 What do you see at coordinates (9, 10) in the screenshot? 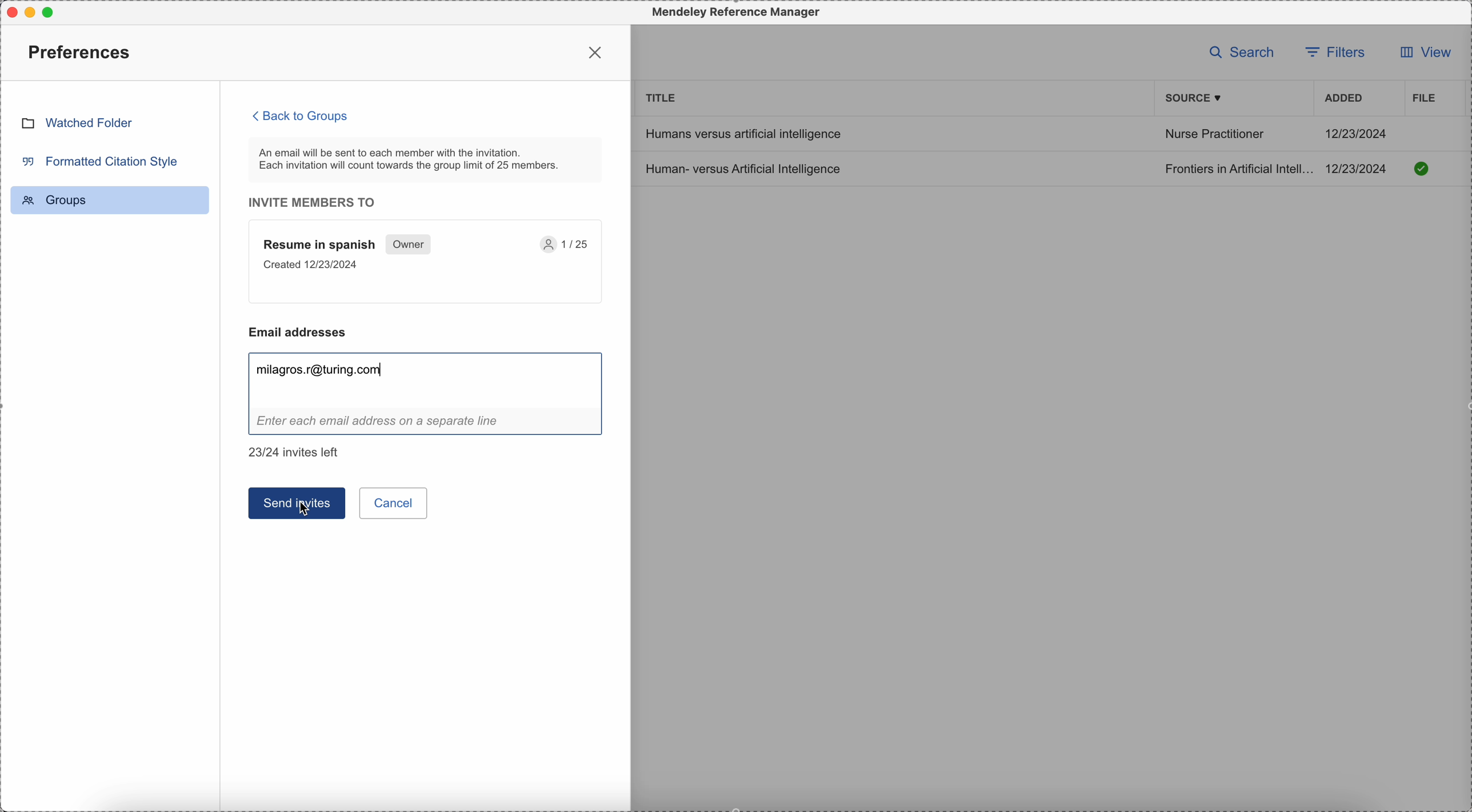
I see `close program` at bounding box center [9, 10].